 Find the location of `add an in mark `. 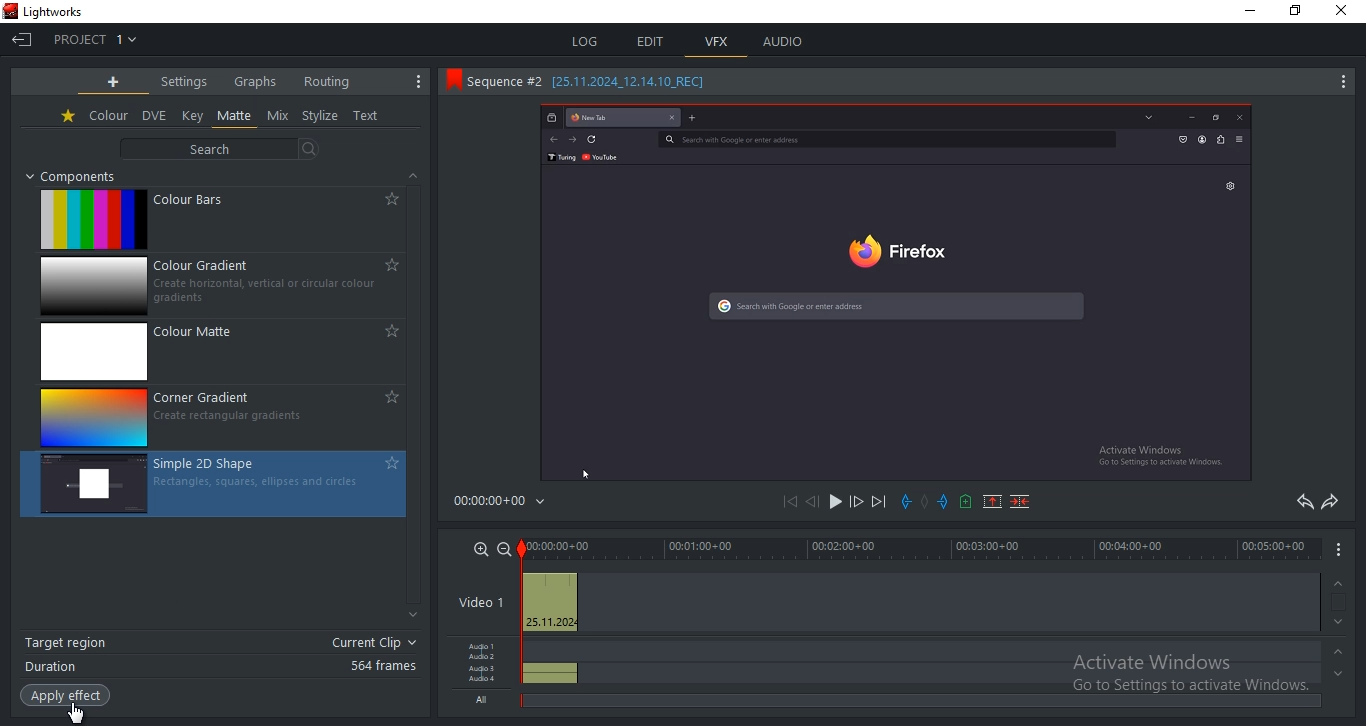

add an in mark  is located at coordinates (943, 500).